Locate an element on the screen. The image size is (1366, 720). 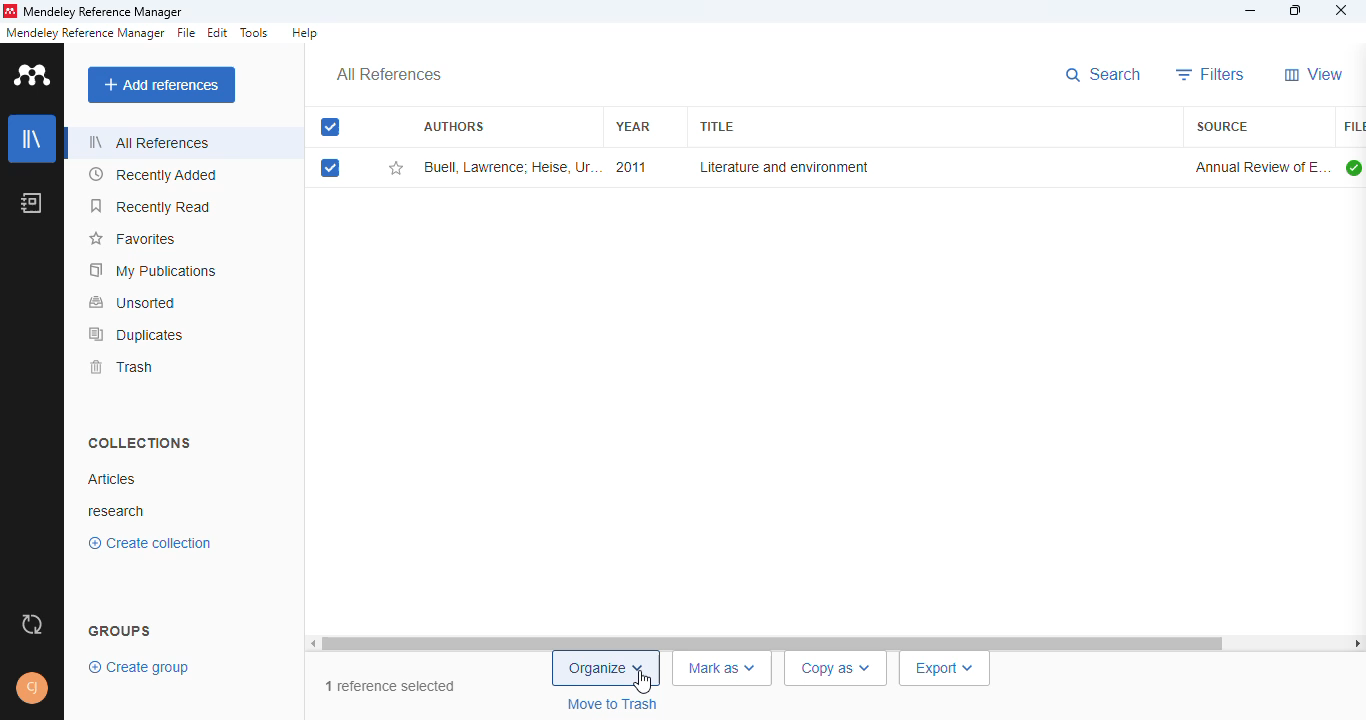
add references is located at coordinates (161, 85).